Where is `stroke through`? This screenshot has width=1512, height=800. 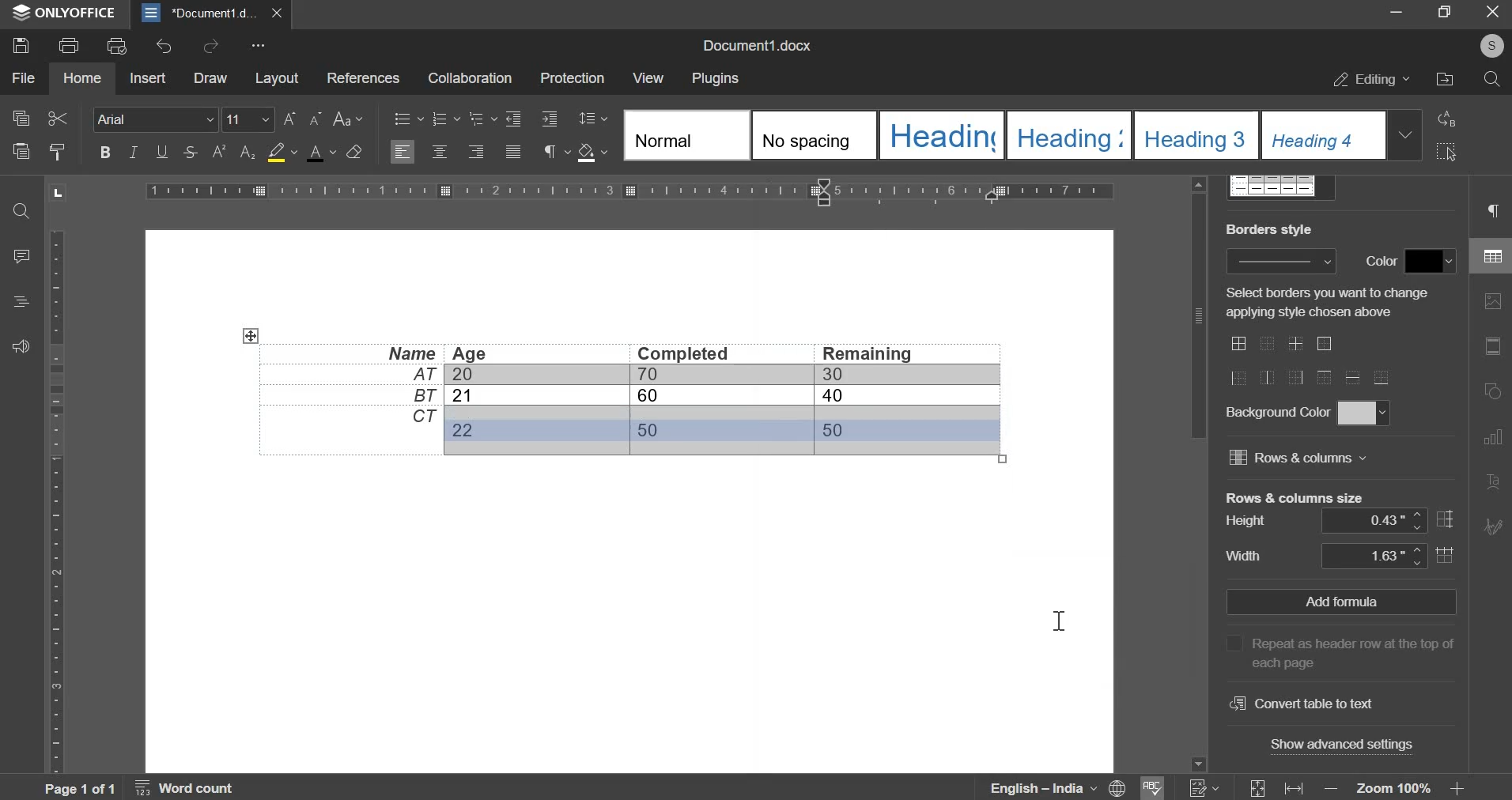
stroke through is located at coordinates (188, 152).